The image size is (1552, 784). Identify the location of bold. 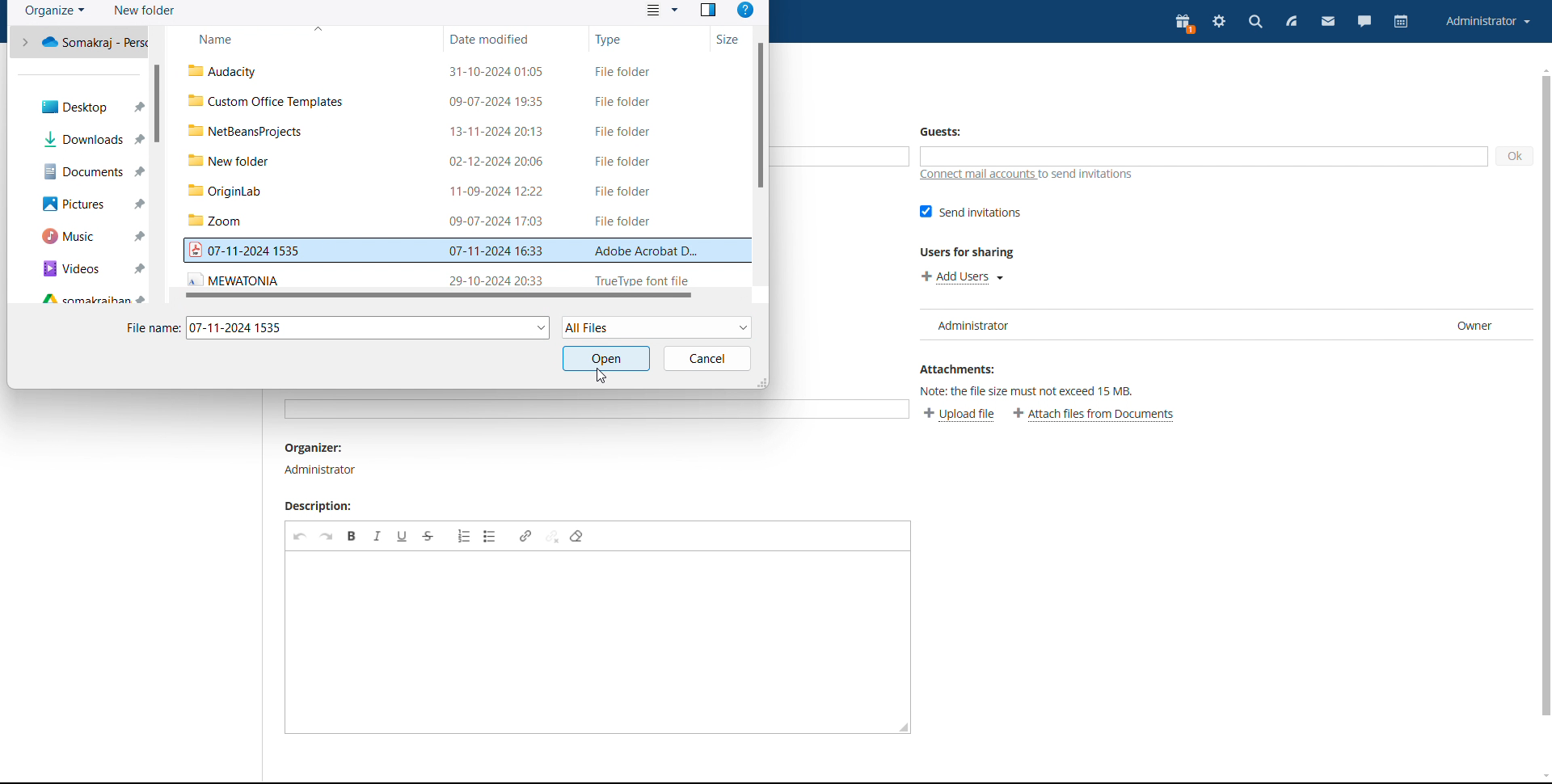
(352, 536).